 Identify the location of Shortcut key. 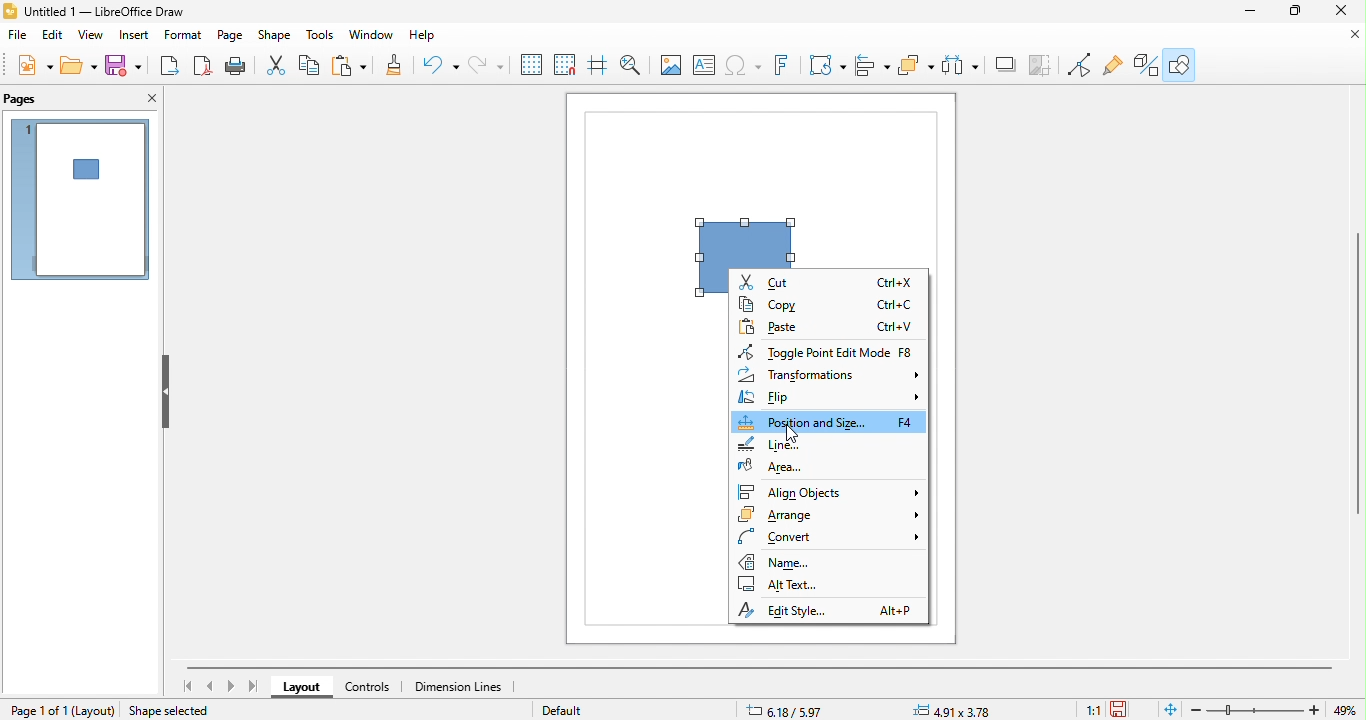
(907, 423).